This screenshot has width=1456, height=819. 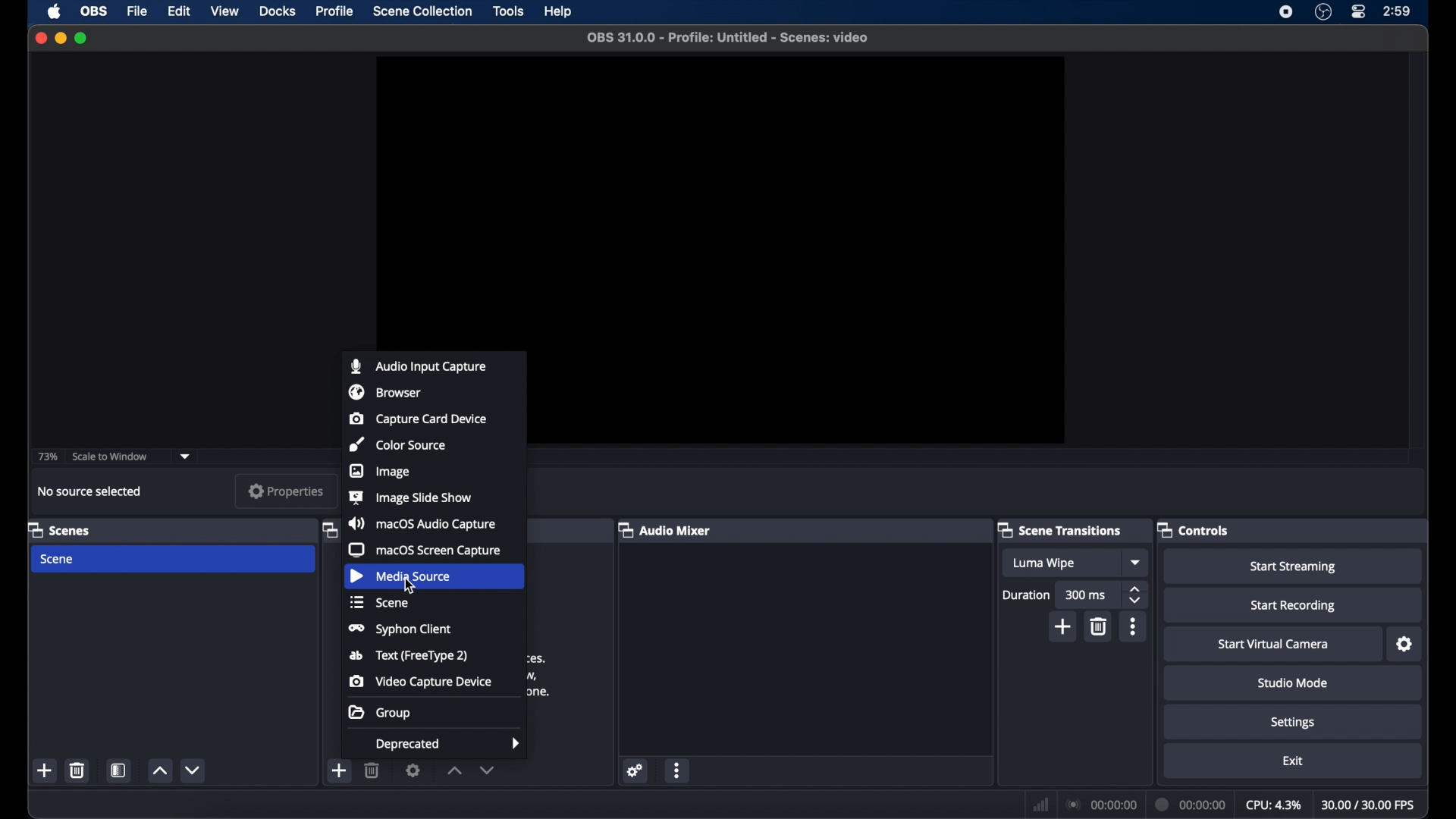 What do you see at coordinates (559, 12) in the screenshot?
I see `help` at bounding box center [559, 12].